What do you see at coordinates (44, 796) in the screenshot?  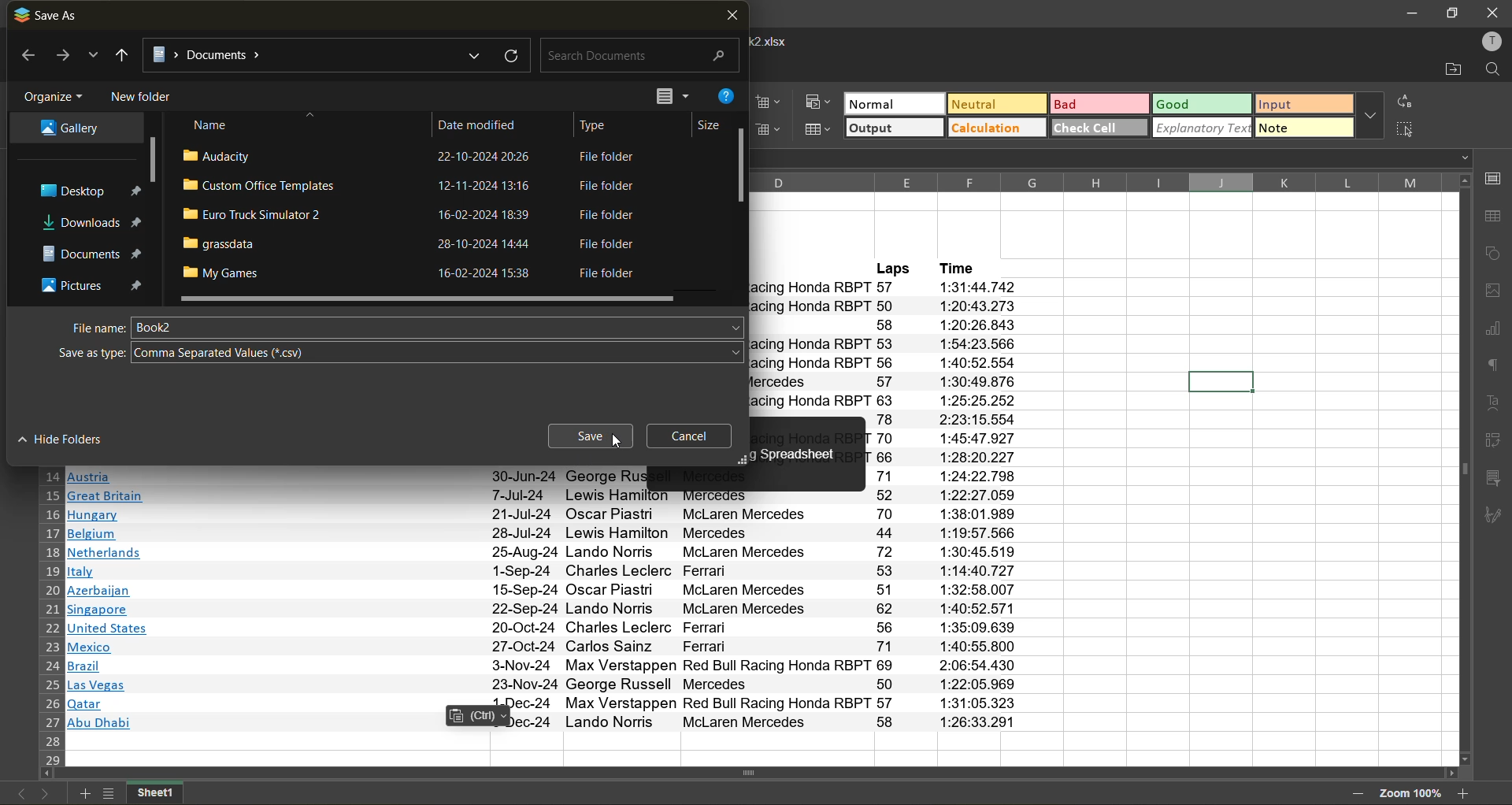 I see `next` at bounding box center [44, 796].